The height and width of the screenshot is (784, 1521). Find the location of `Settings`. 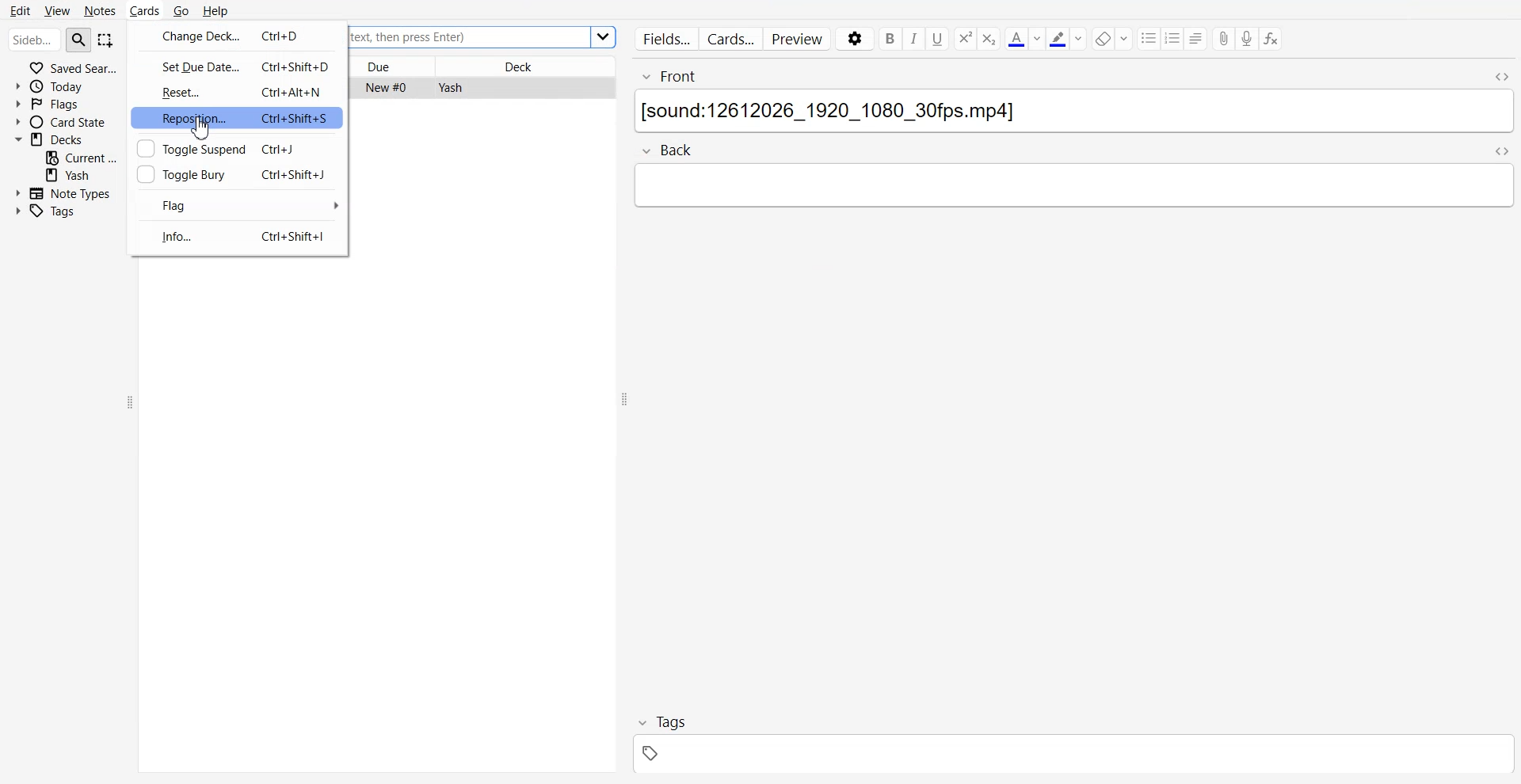

Settings is located at coordinates (853, 40).